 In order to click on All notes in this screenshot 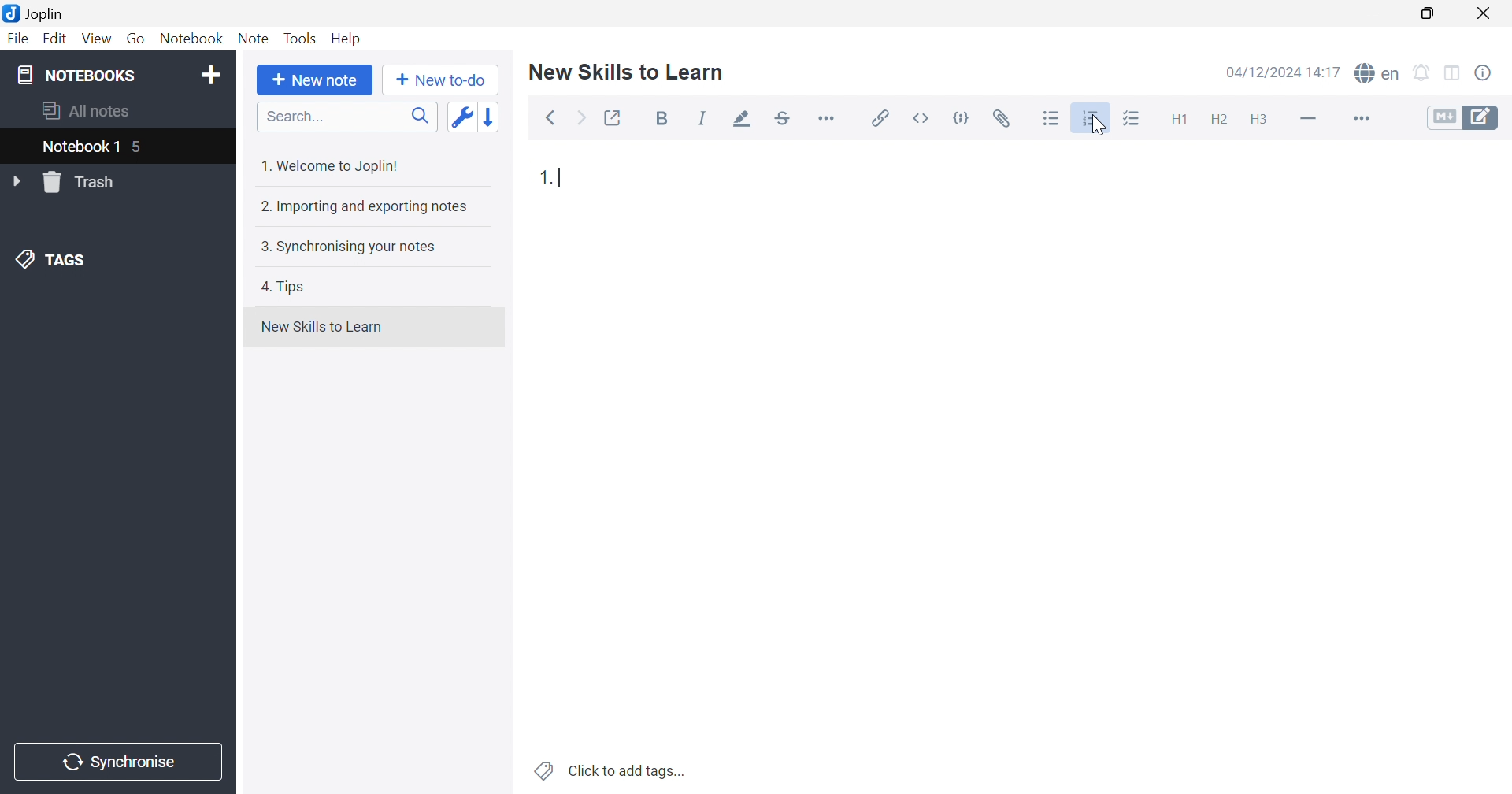, I will do `click(87, 109)`.